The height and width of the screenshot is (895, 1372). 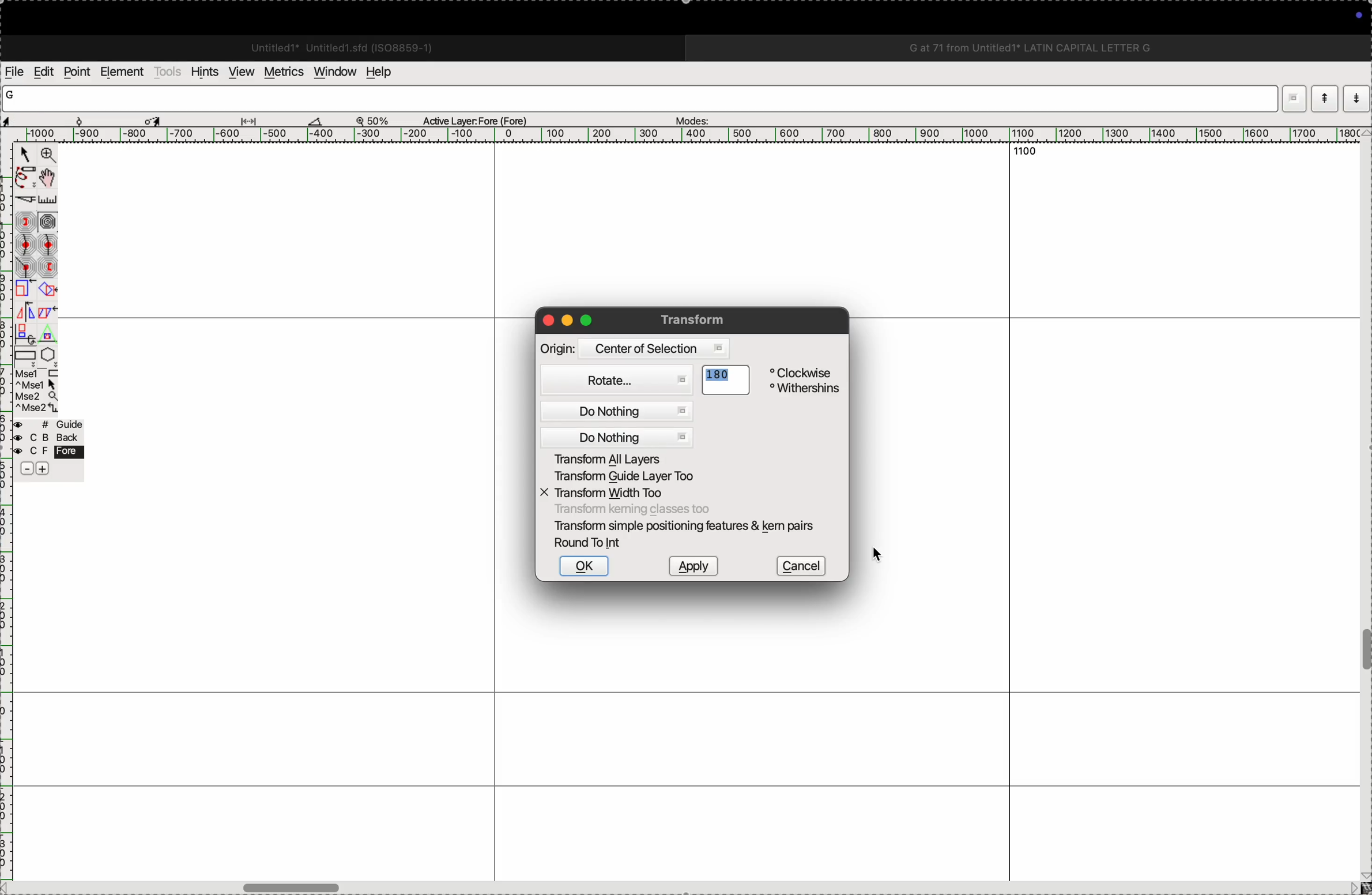 What do you see at coordinates (242, 72) in the screenshot?
I see `view` at bounding box center [242, 72].